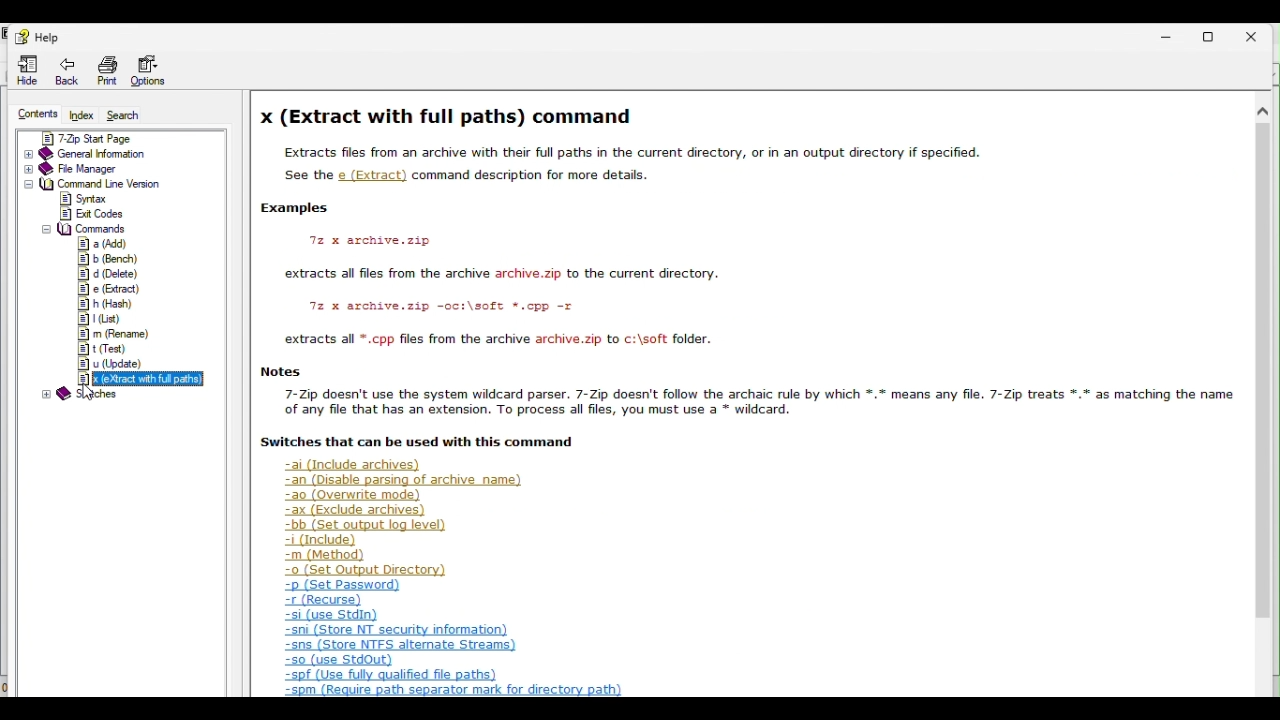  I want to click on 7z x archive.zip -oci\soft *.cpp -r, so click(443, 308).